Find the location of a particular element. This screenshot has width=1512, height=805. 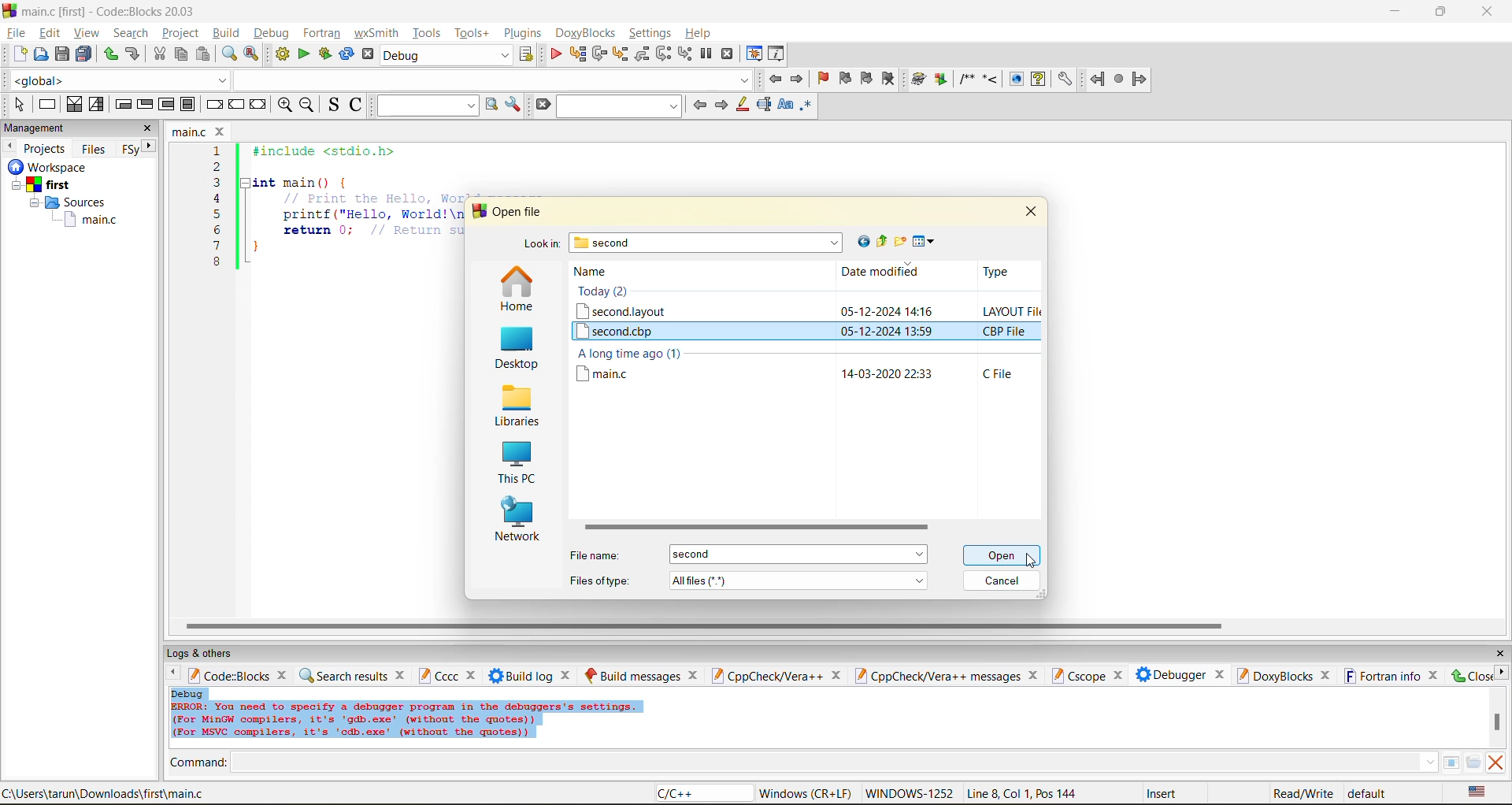

settings is located at coordinates (1064, 80).